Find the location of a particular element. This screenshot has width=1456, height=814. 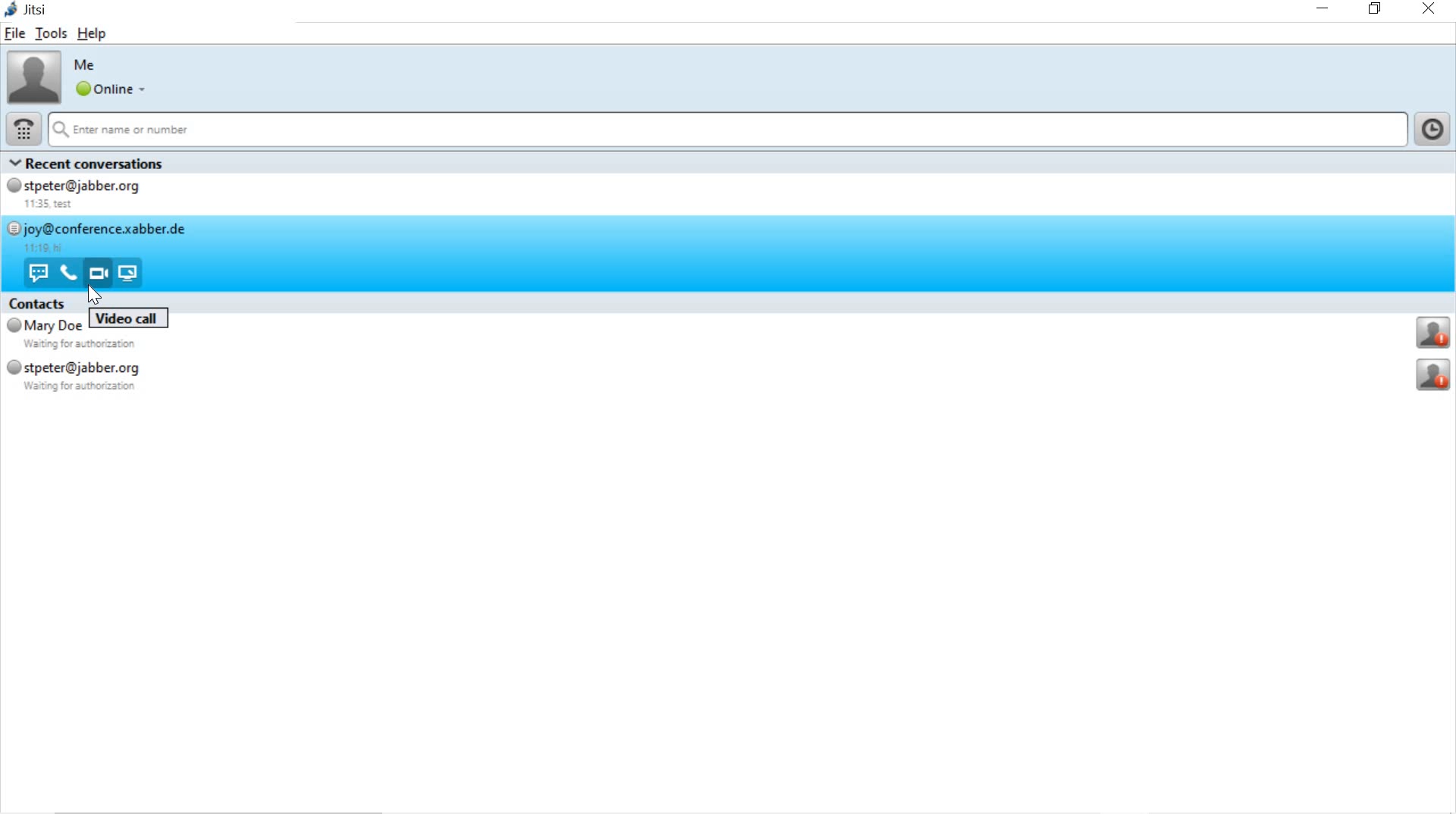

stpeter@jabber.org 11:35 test is located at coordinates (92, 196).